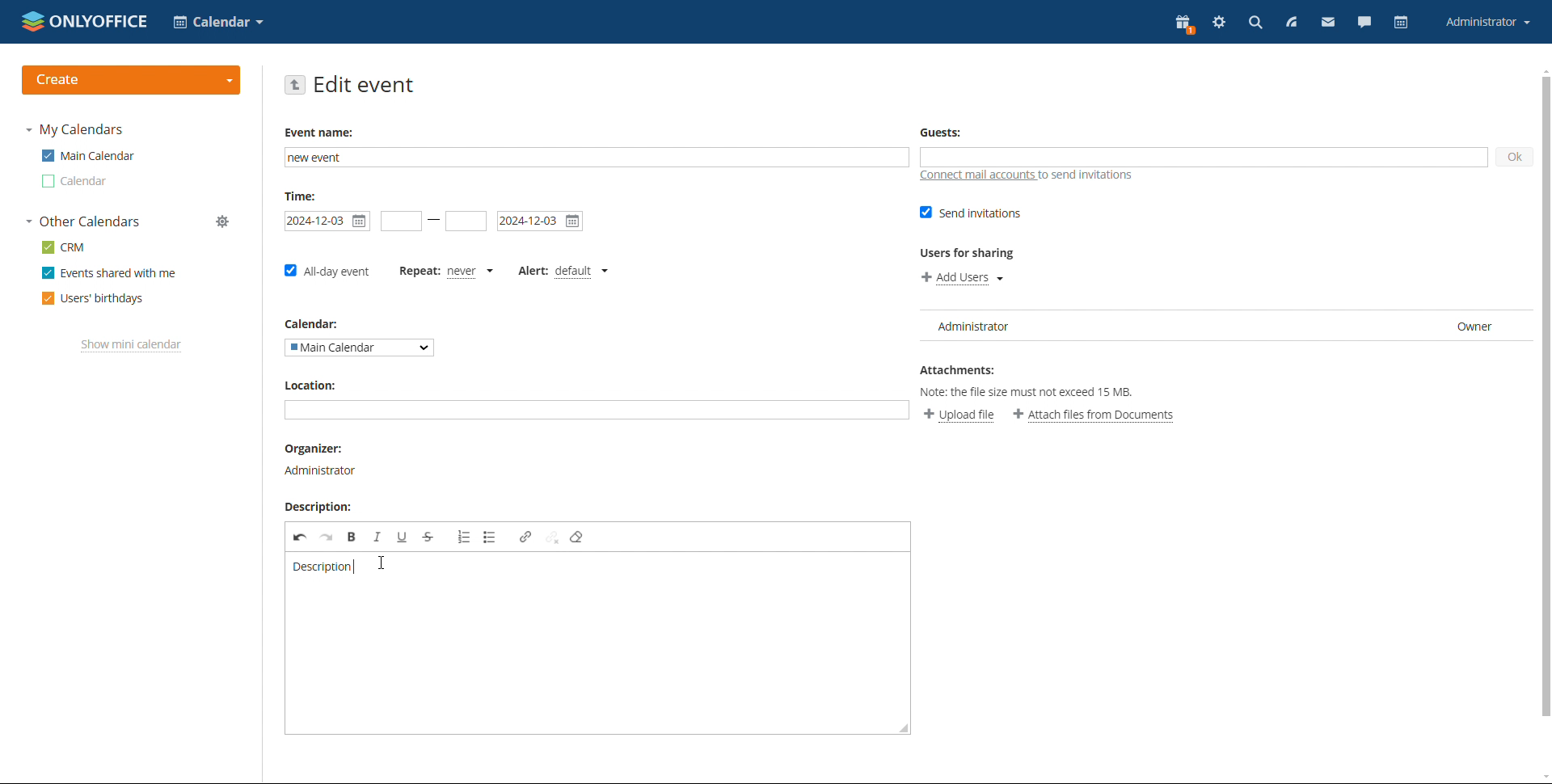  I want to click on scrollbar, so click(1551, 400).